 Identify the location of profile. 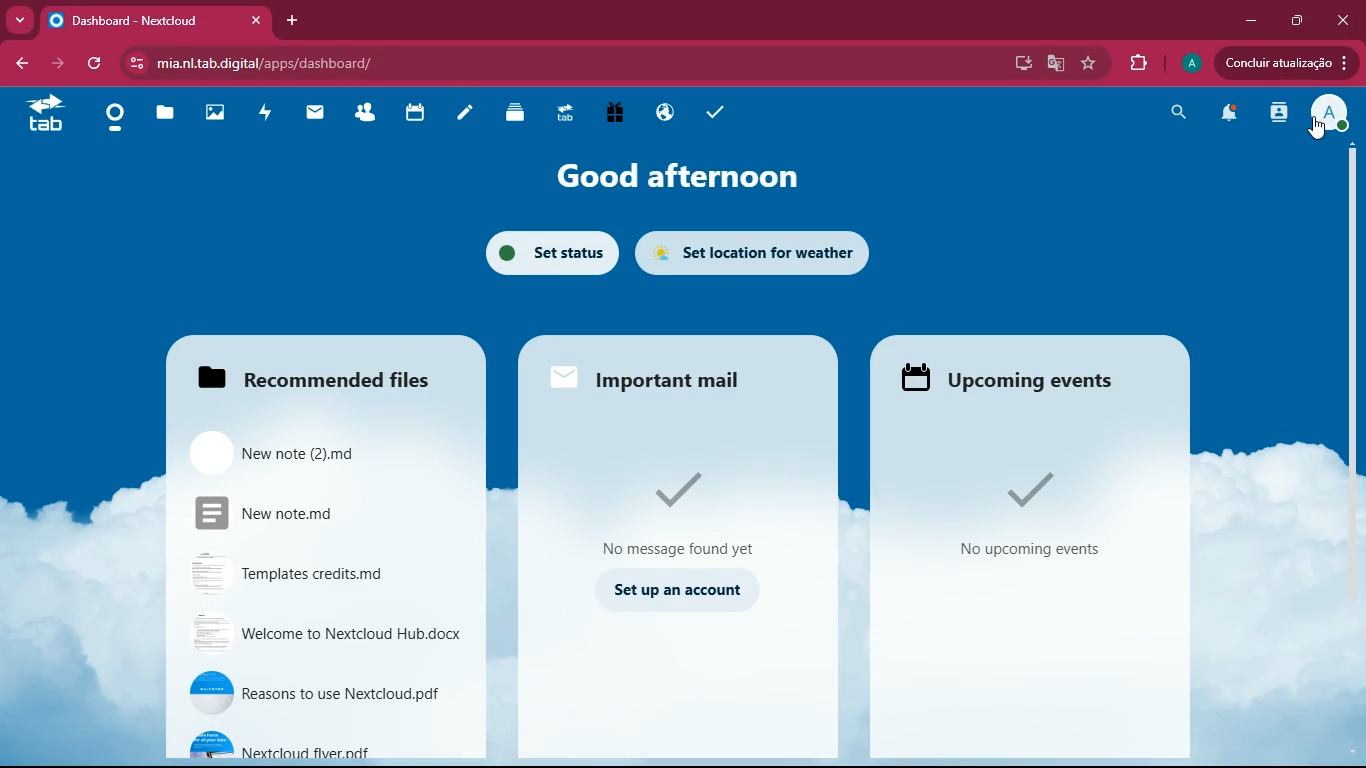
(1192, 63).